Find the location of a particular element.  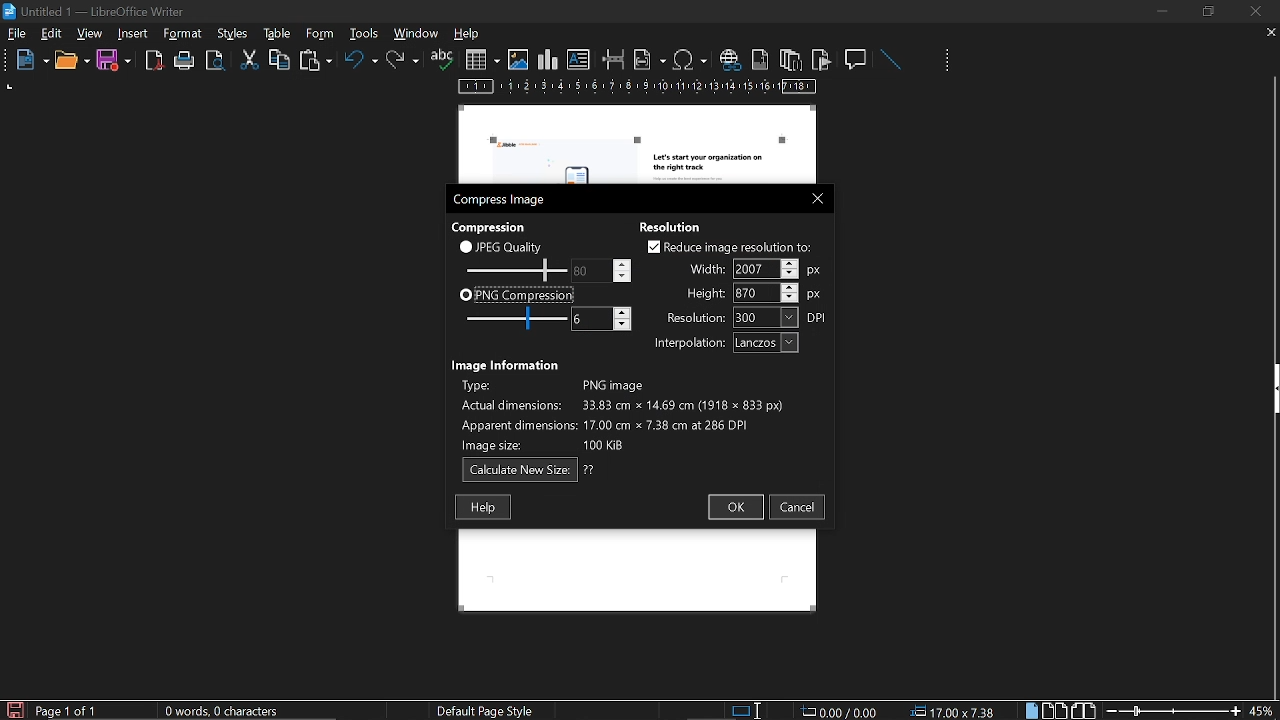

close tab is located at coordinates (1271, 34).